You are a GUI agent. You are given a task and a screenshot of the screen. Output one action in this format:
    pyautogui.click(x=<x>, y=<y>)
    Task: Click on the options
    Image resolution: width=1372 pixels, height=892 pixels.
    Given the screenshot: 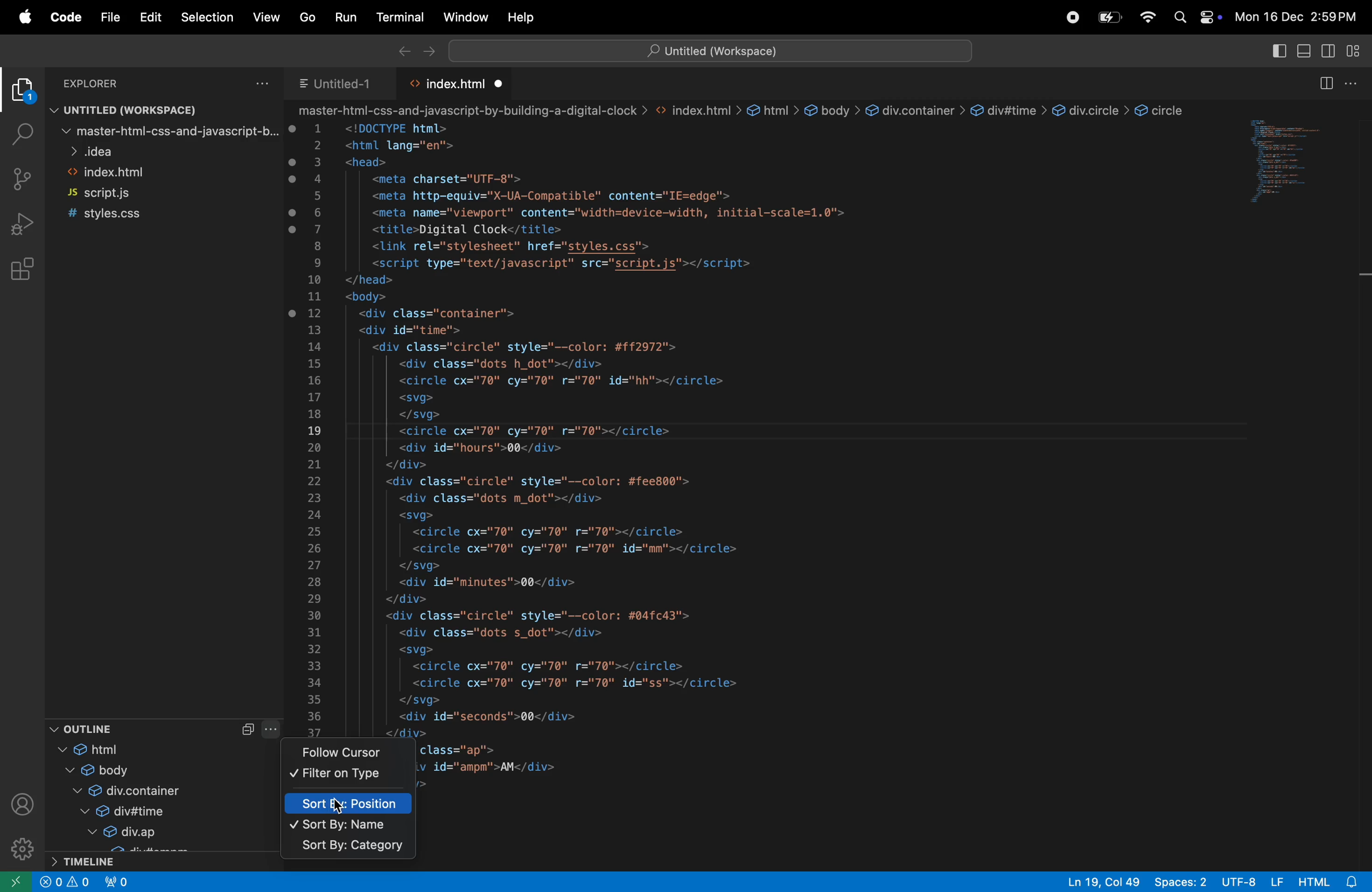 What is the action you would take?
    pyautogui.click(x=1358, y=82)
    